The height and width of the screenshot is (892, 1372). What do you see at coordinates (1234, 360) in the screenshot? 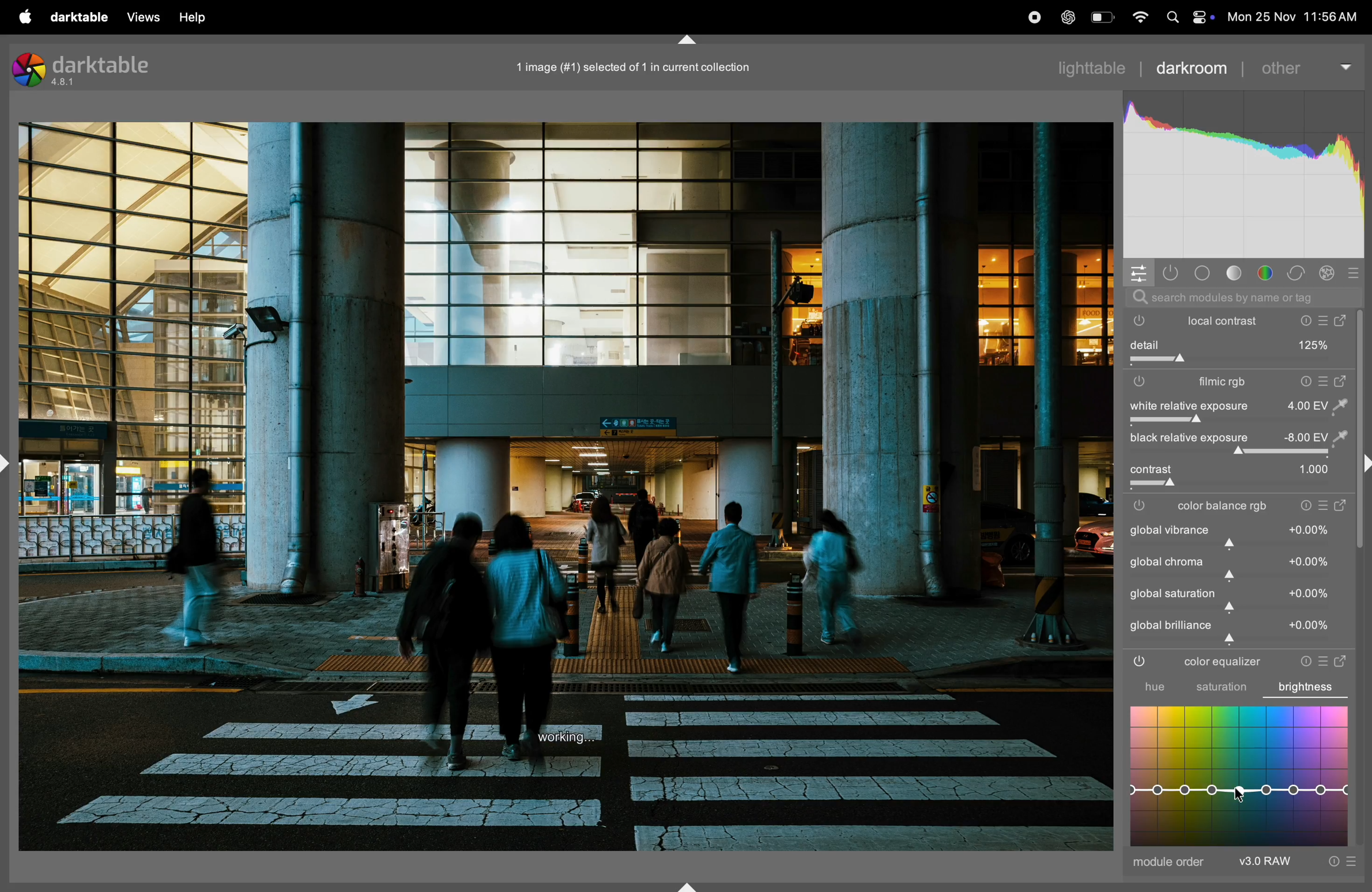
I see `toggle ` at bounding box center [1234, 360].